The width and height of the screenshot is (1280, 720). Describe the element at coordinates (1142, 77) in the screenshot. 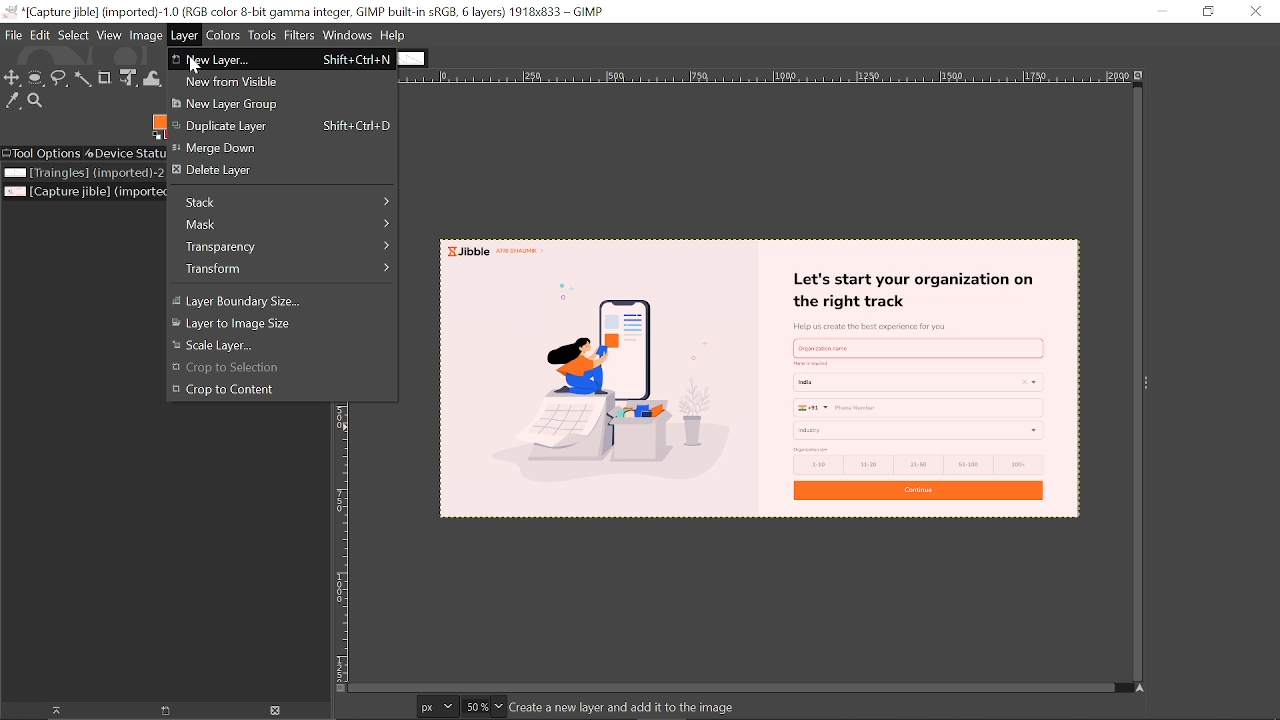

I see `Zoom when window size changes` at that location.